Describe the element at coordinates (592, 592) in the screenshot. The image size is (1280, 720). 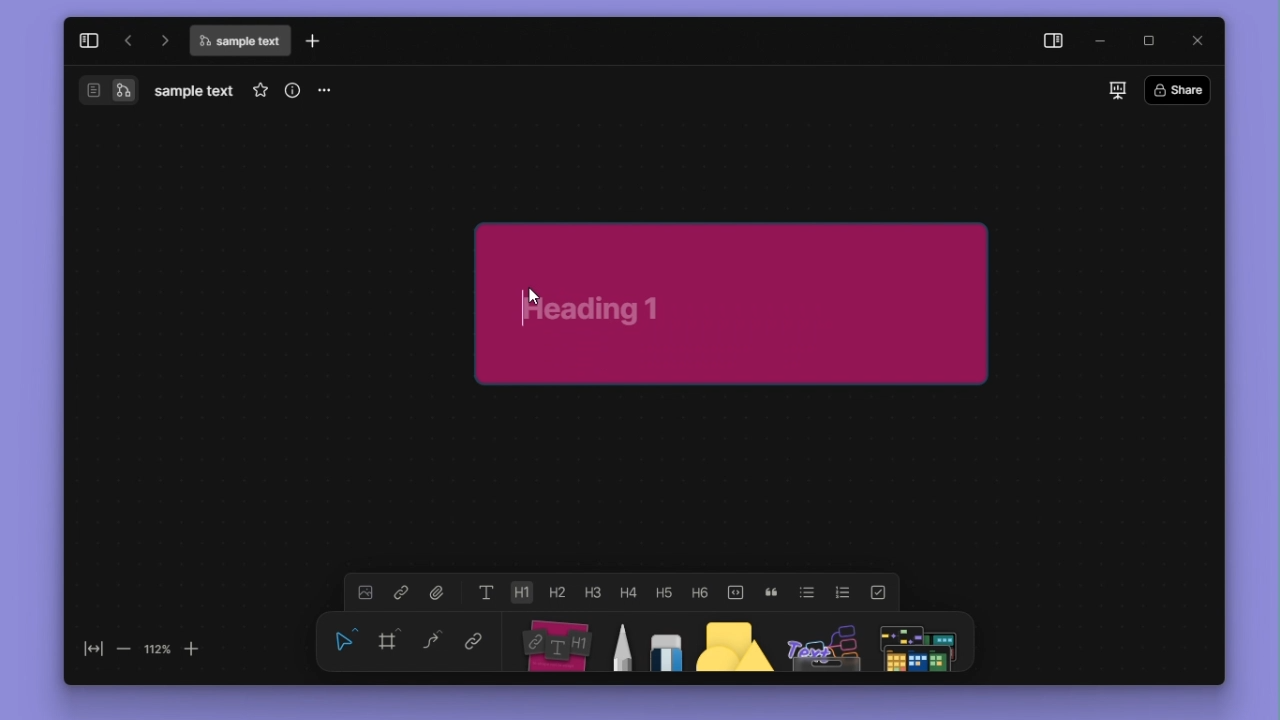
I see `Heading 3` at that location.